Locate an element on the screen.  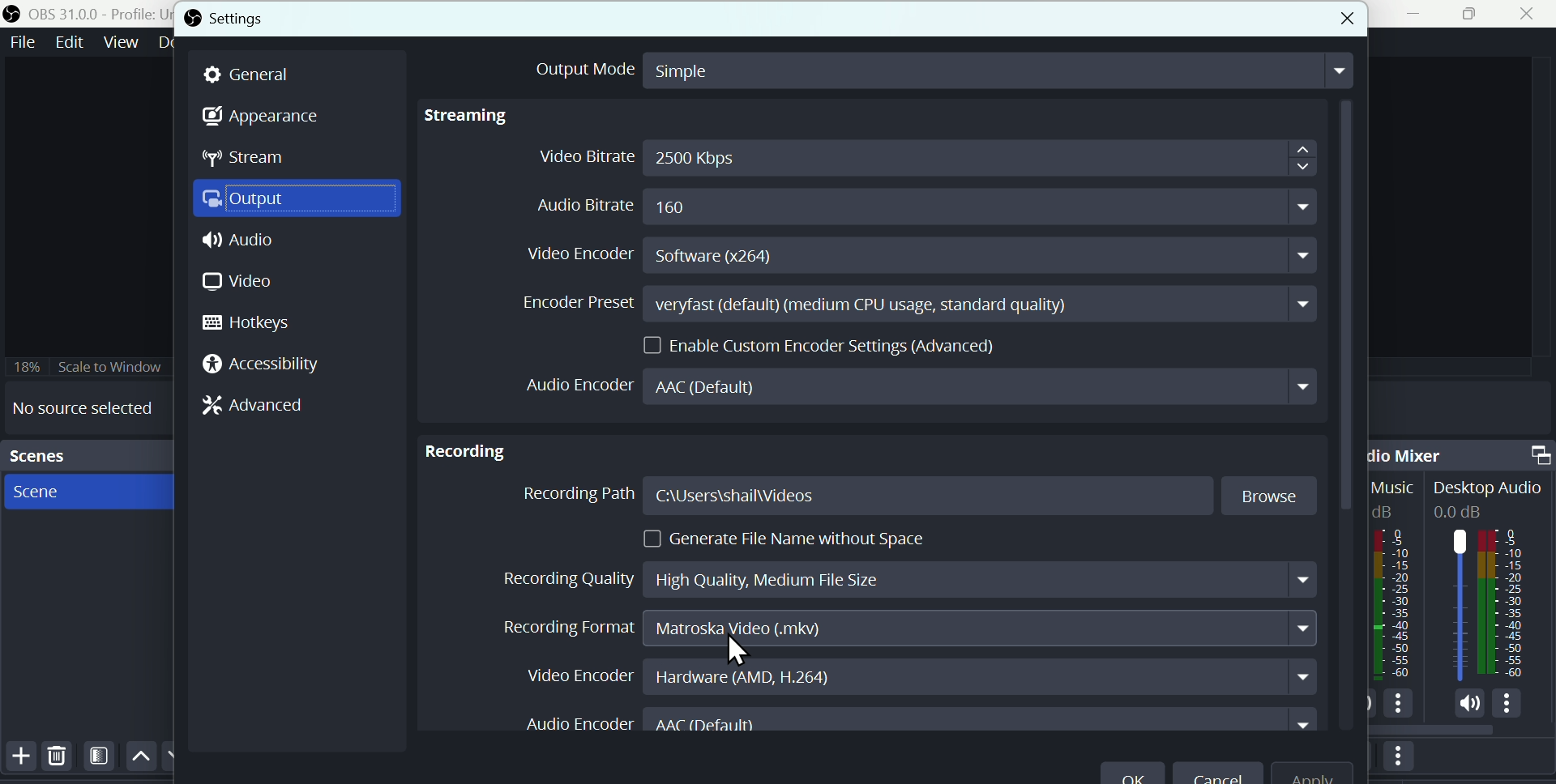
file is located at coordinates (21, 47).